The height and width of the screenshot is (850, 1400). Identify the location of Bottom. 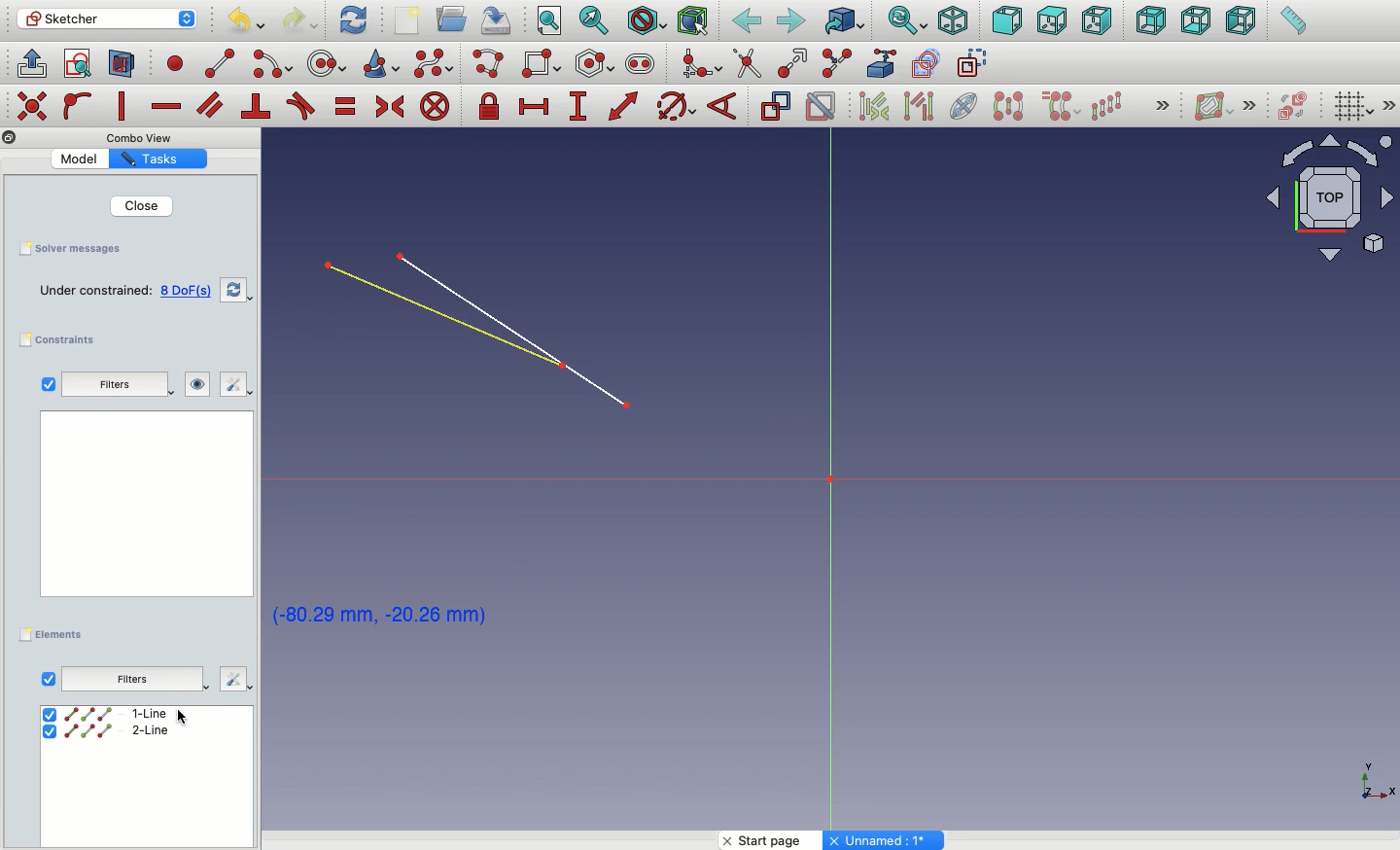
(1196, 22).